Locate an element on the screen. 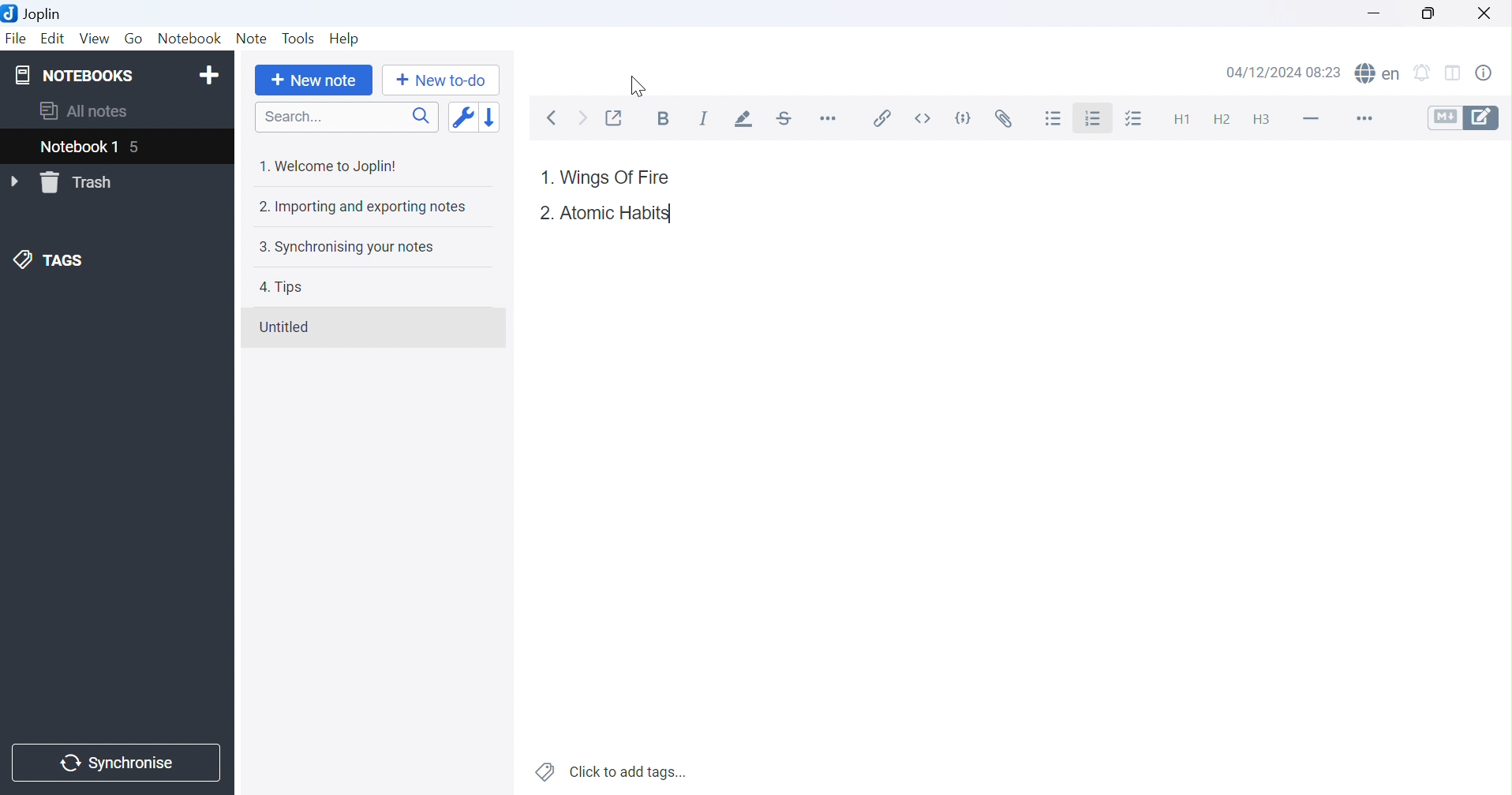 The height and width of the screenshot is (795, 1512). Bulleted list is located at coordinates (1054, 121).